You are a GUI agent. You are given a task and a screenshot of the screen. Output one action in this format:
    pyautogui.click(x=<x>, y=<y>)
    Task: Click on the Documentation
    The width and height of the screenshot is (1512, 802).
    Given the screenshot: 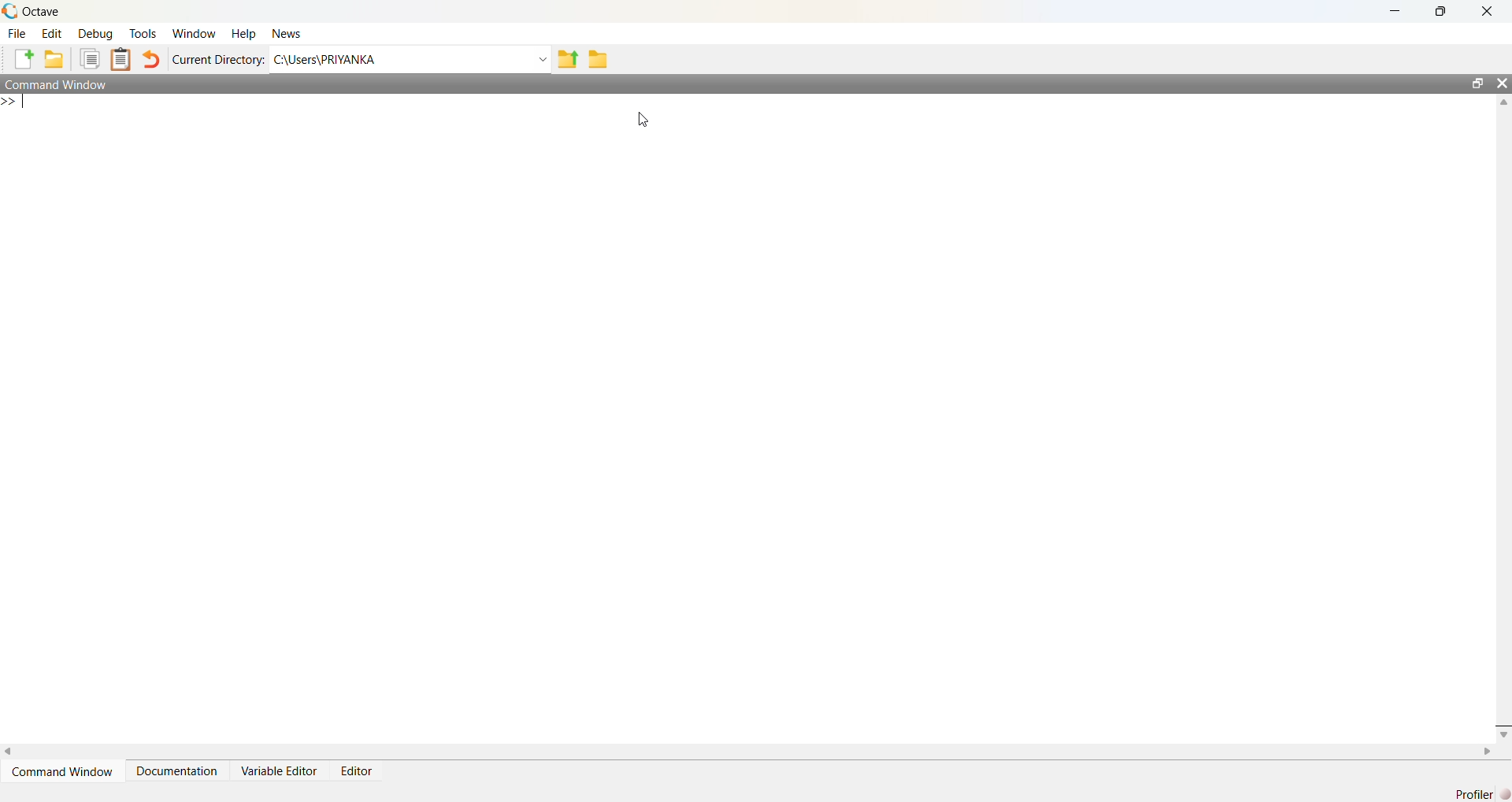 What is the action you would take?
    pyautogui.click(x=176, y=770)
    